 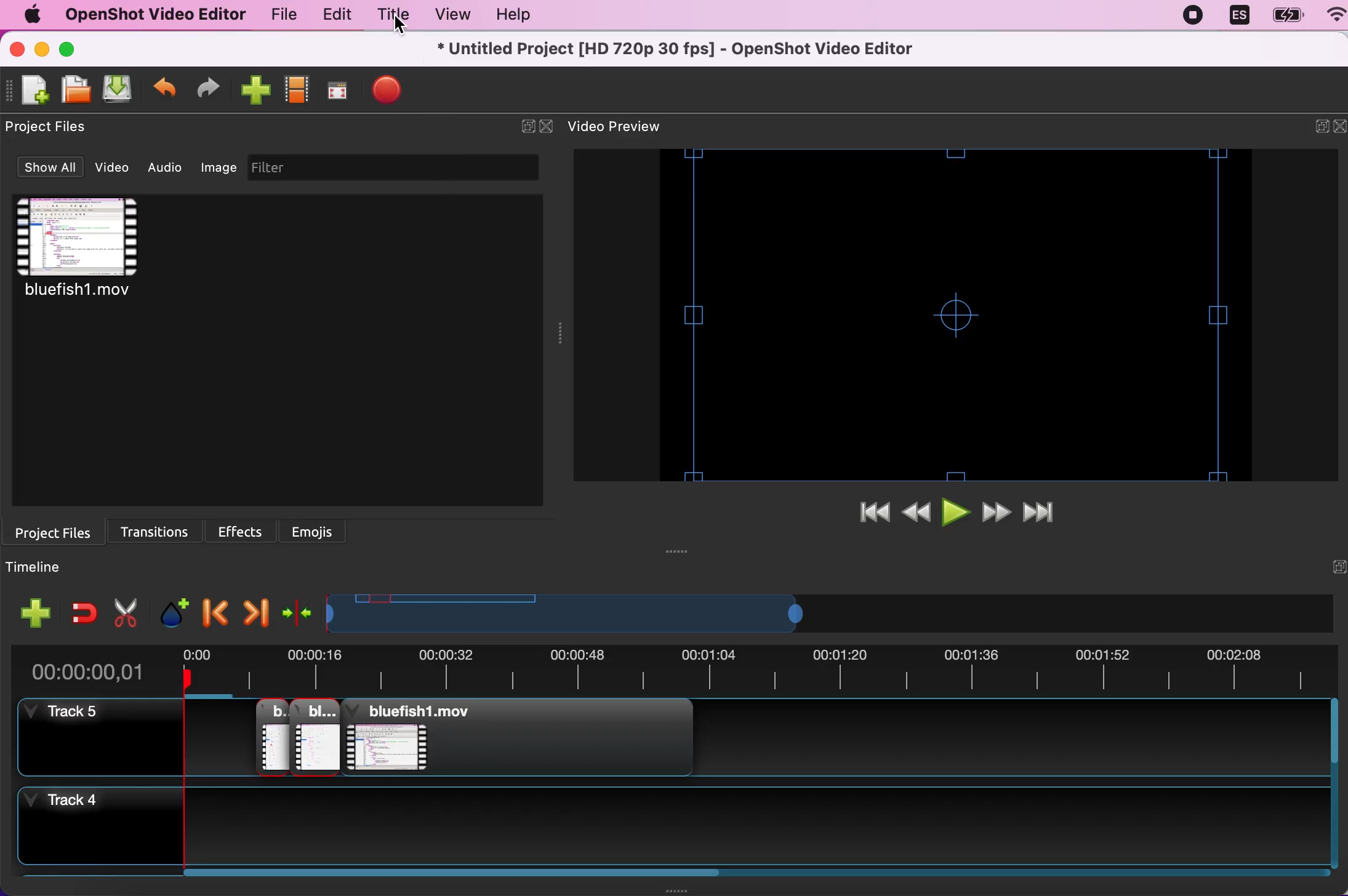 What do you see at coordinates (54, 127) in the screenshot?
I see `project files` at bounding box center [54, 127].